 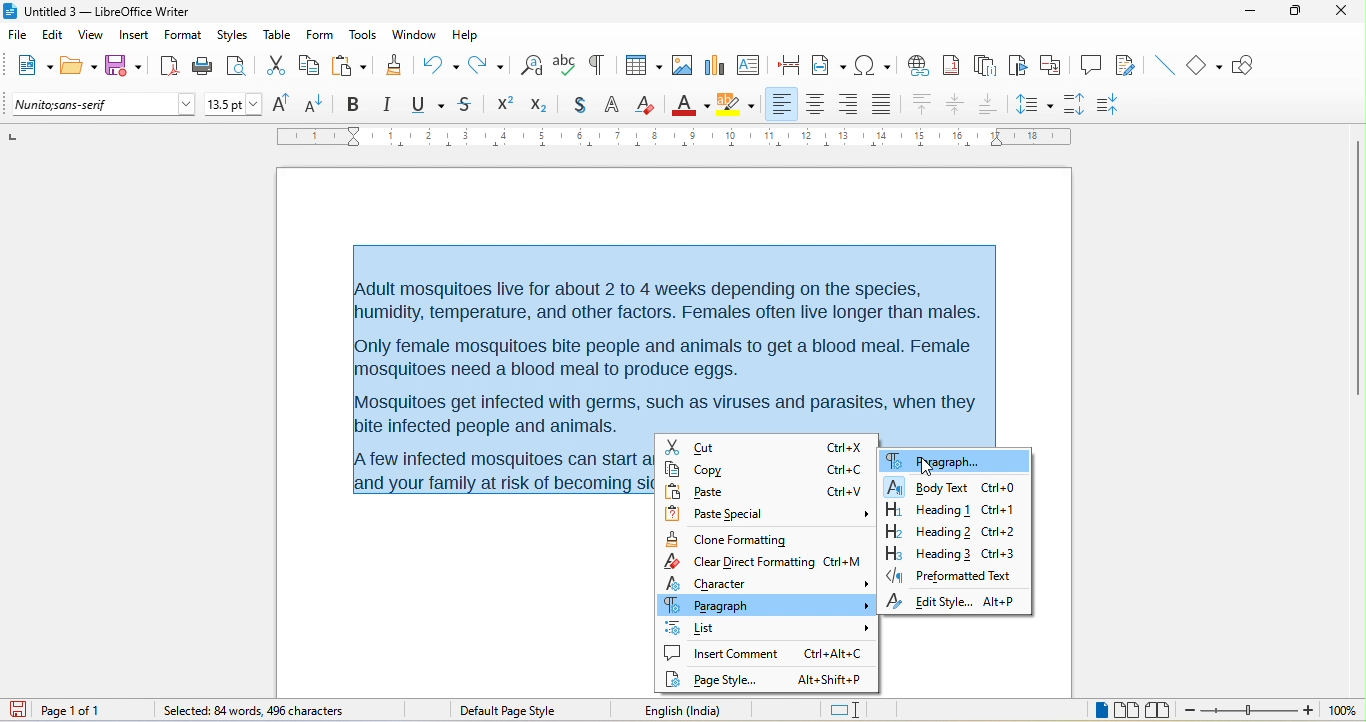 What do you see at coordinates (349, 66) in the screenshot?
I see `paste` at bounding box center [349, 66].